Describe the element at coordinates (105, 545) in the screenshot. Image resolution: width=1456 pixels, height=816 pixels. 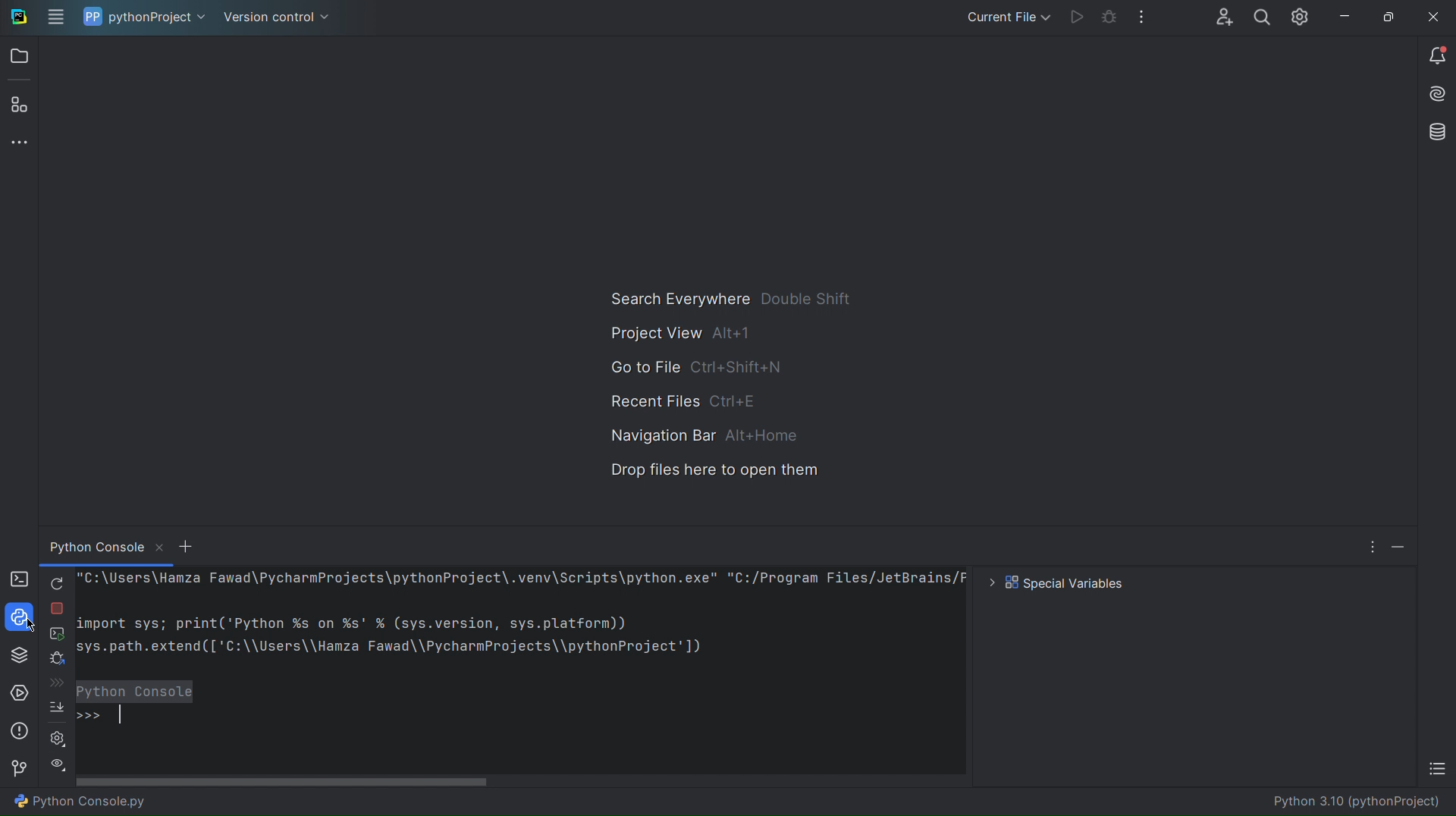
I see `Python Console` at that location.